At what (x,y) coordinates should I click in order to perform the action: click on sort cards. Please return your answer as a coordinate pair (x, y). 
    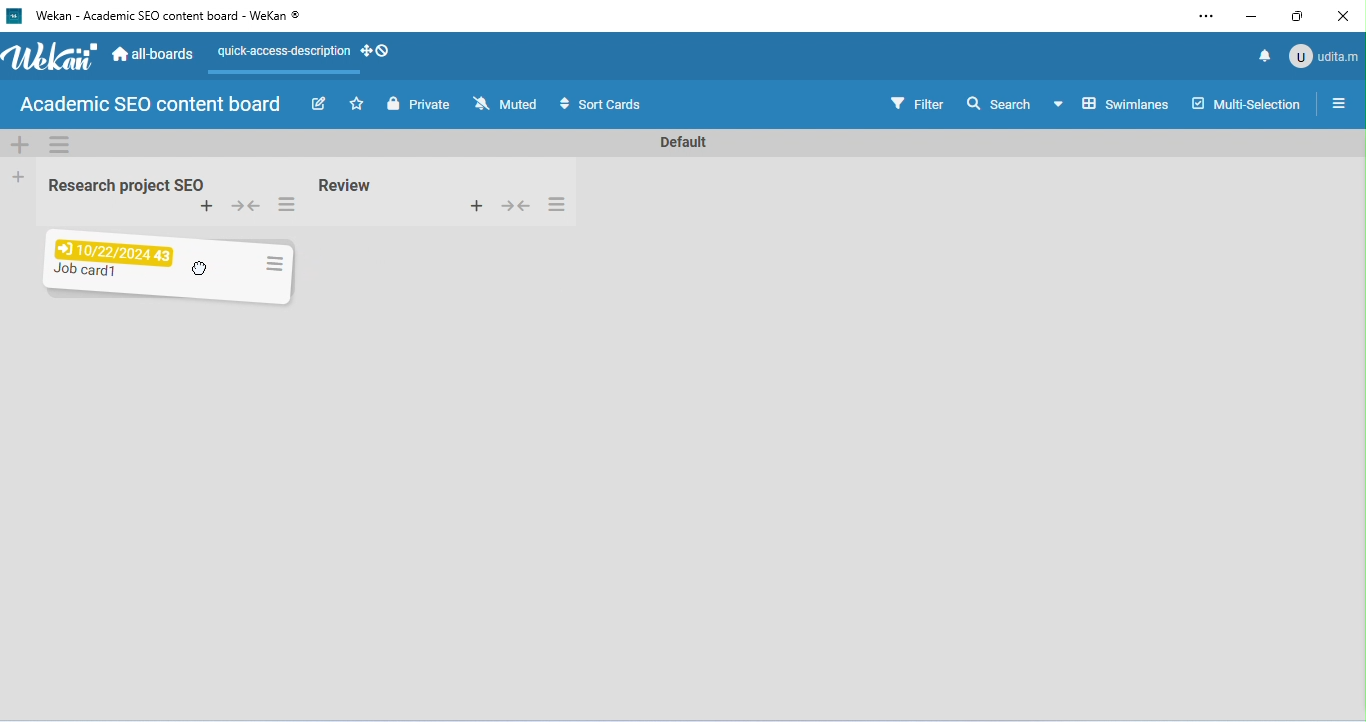
    Looking at the image, I should click on (598, 105).